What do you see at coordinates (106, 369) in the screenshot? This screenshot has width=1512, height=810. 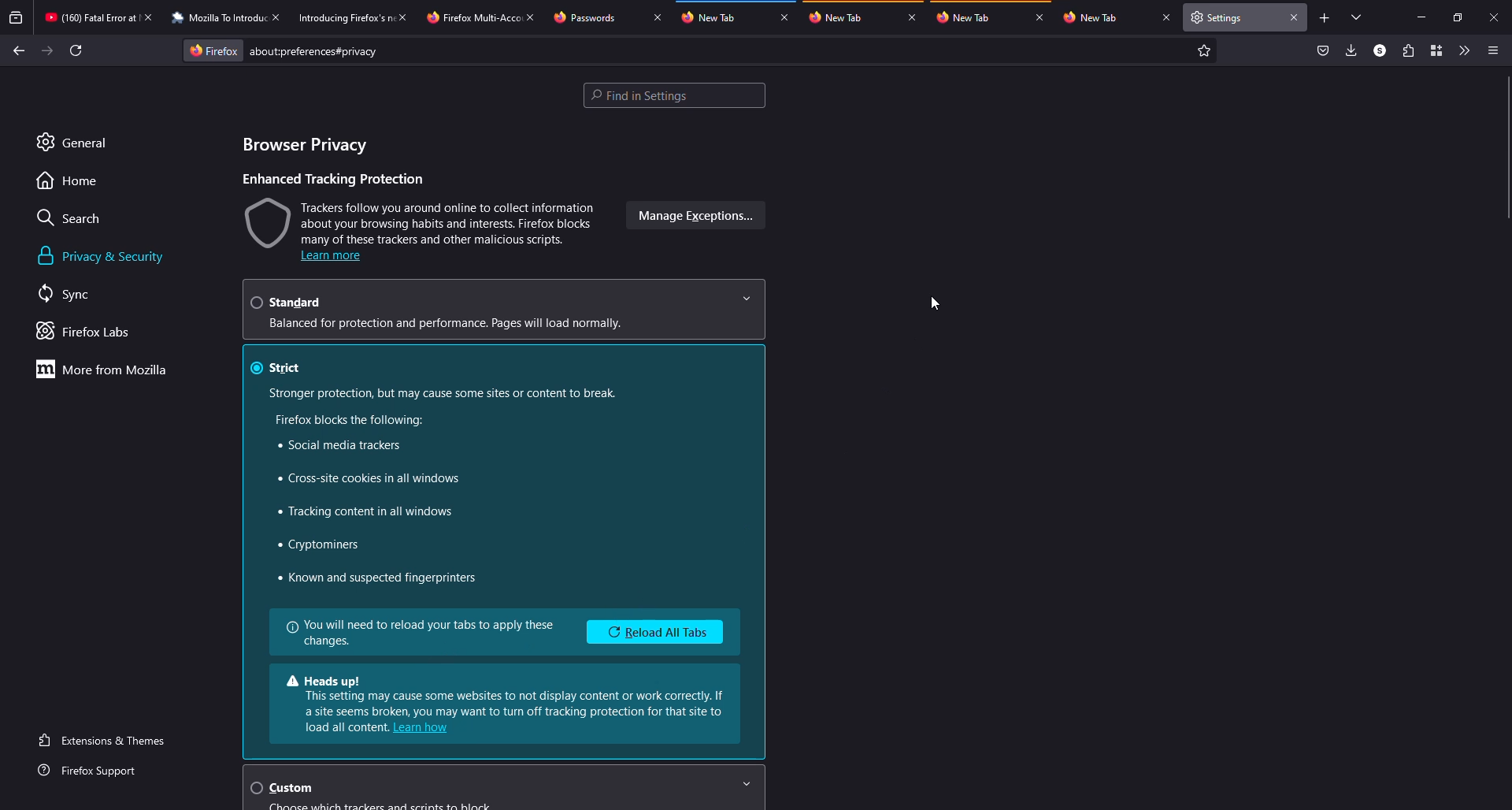 I see `more` at bounding box center [106, 369].